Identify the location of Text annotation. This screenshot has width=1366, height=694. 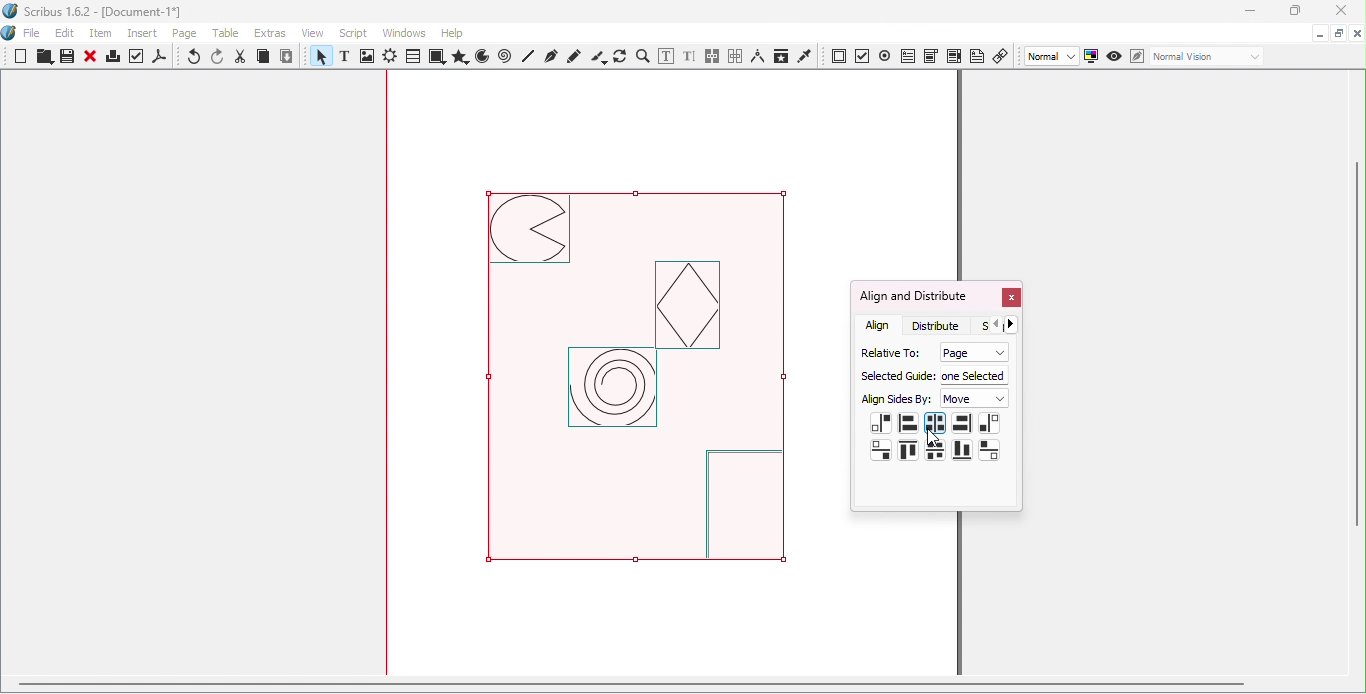
(977, 55).